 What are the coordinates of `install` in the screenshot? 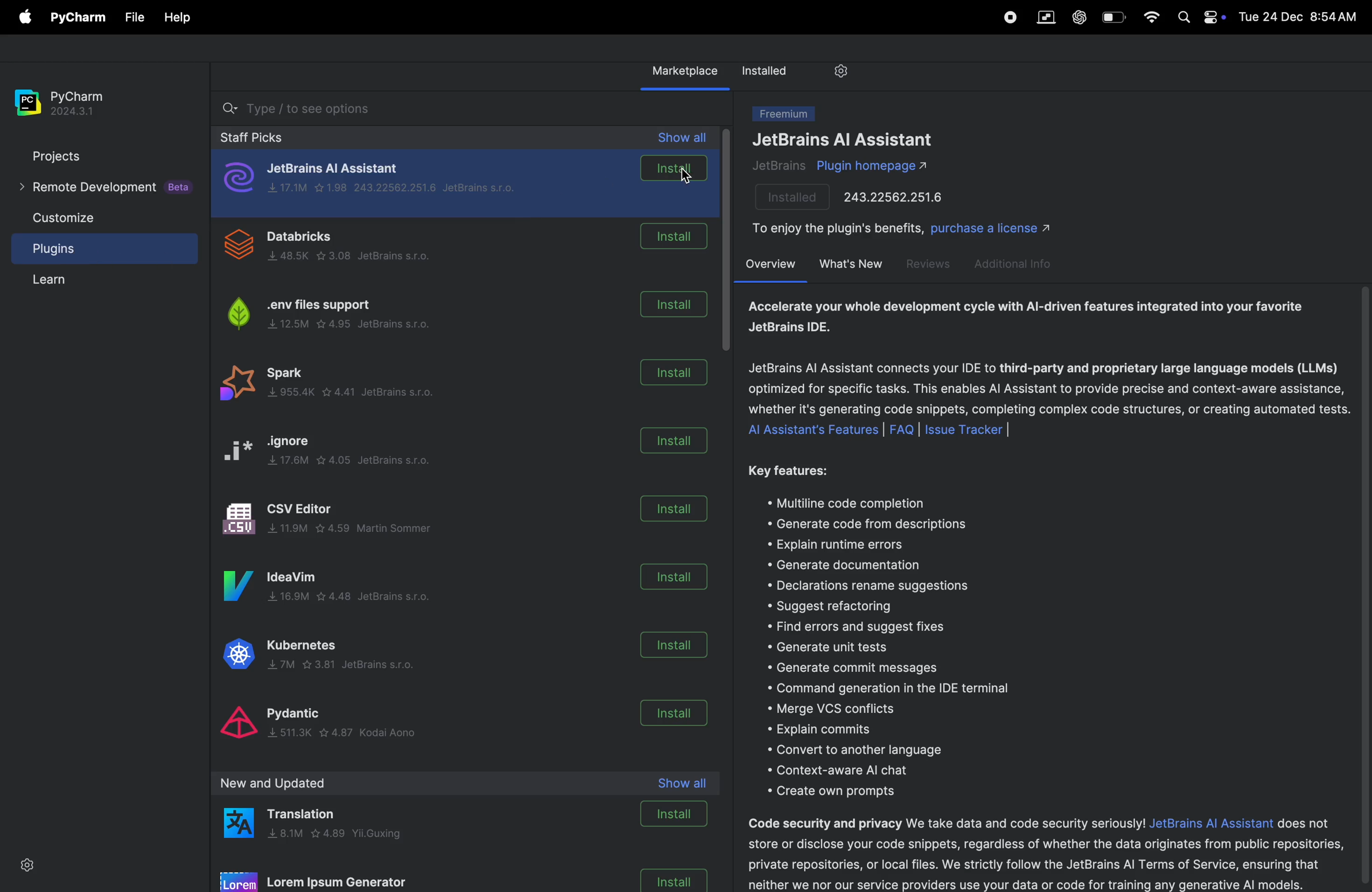 It's located at (672, 441).